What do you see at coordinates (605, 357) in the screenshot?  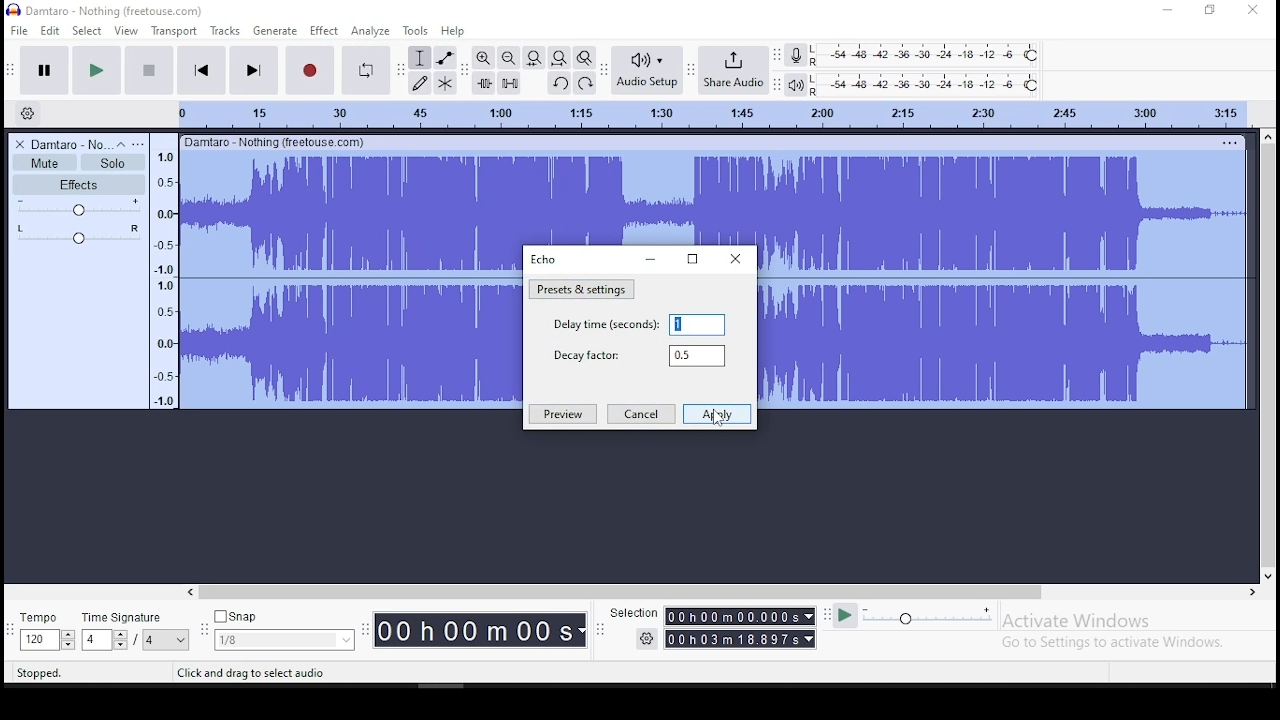 I see `decay factor` at bounding box center [605, 357].